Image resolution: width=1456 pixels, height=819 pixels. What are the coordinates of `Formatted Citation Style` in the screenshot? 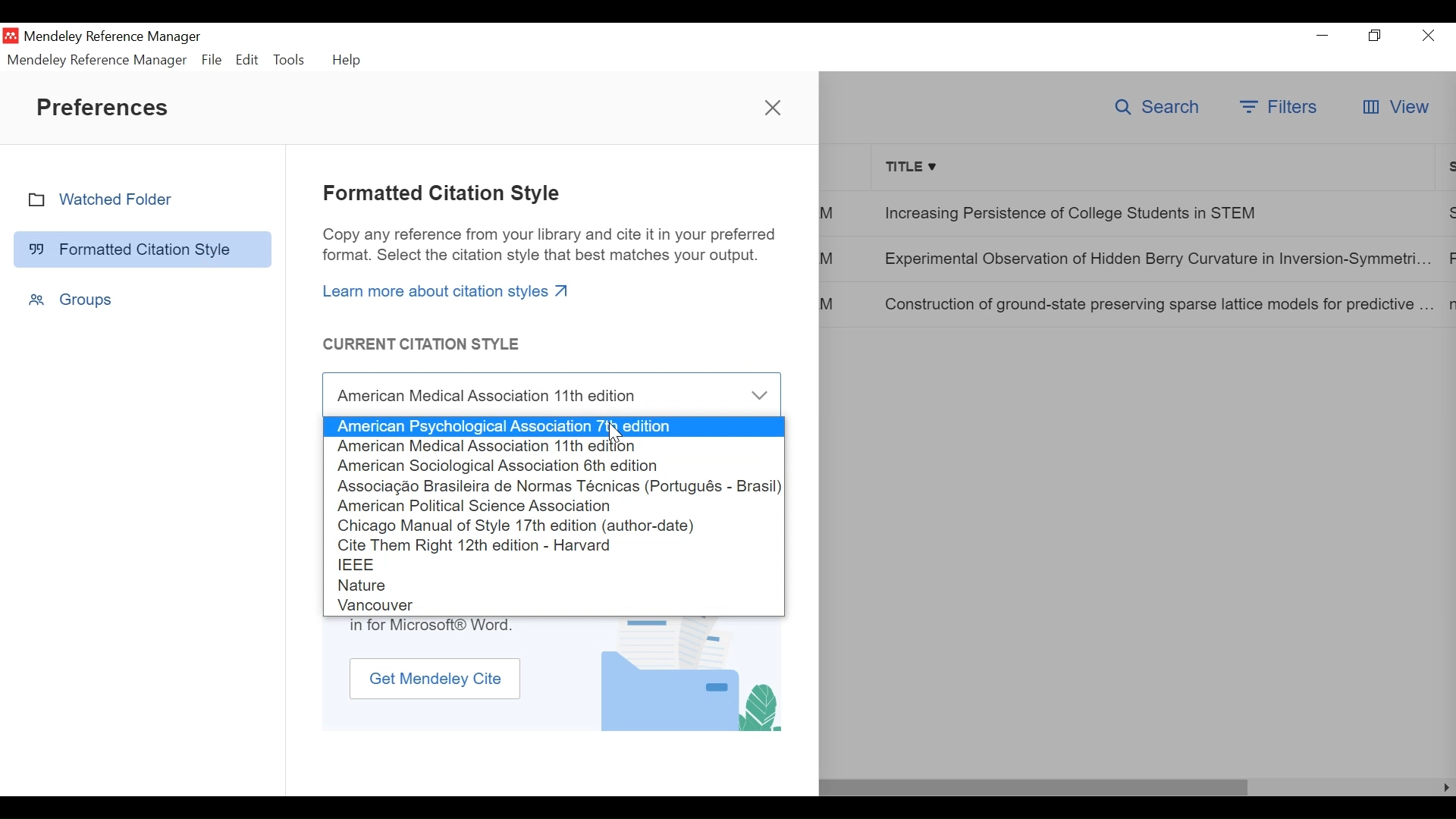 It's located at (443, 194).